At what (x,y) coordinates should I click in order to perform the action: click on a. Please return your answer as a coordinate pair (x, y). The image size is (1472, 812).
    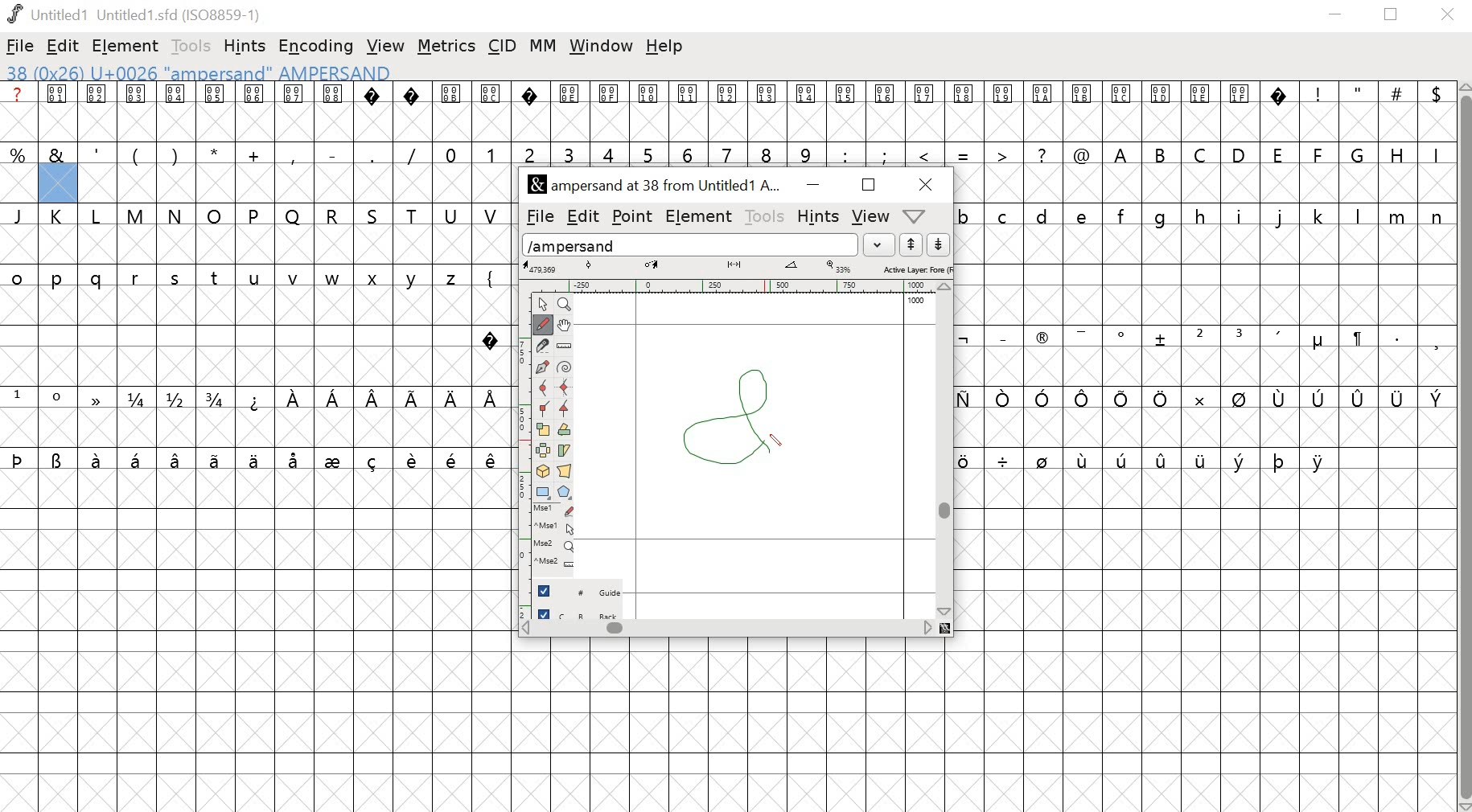
    Looking at the image, I should click on (19, 112).